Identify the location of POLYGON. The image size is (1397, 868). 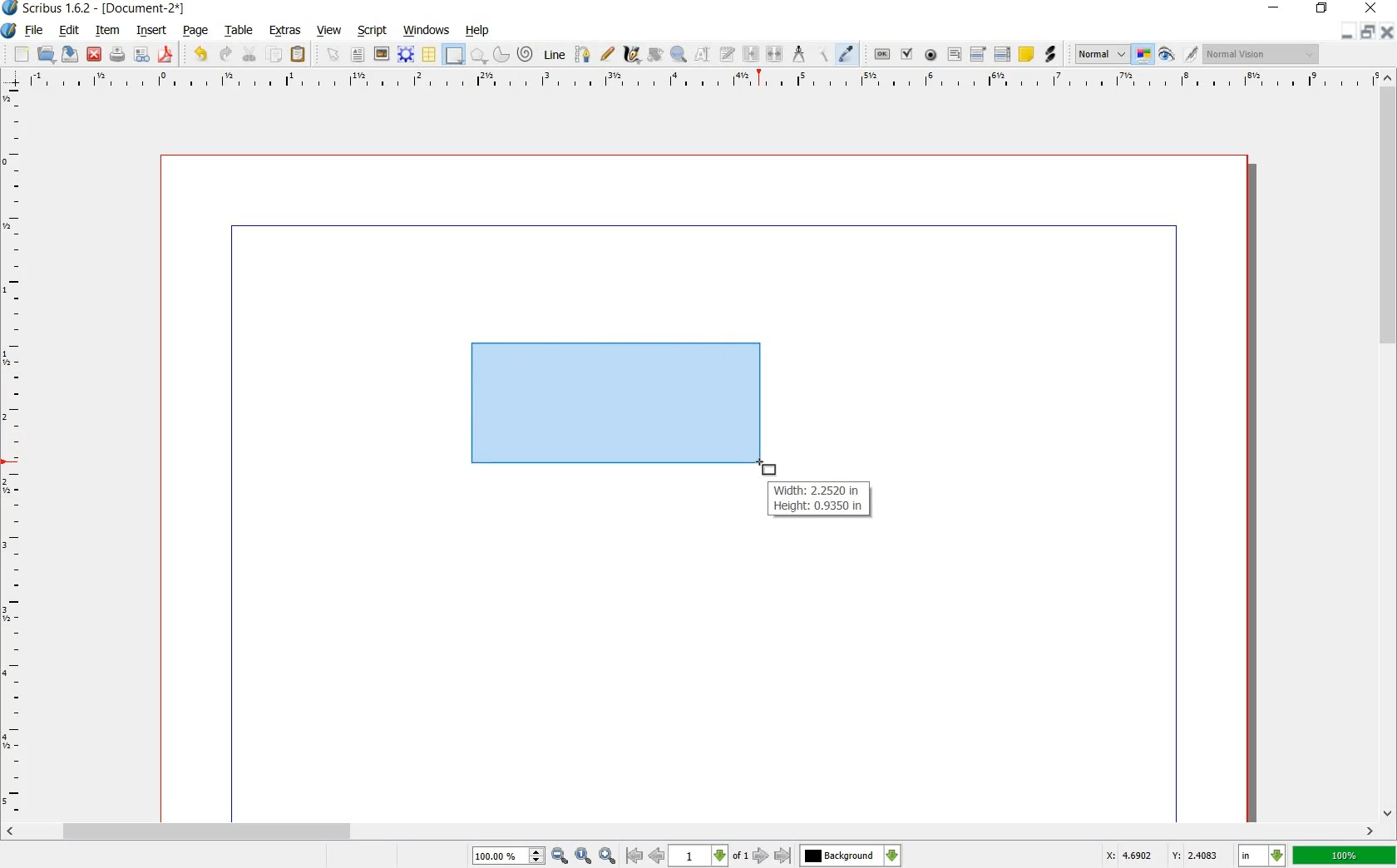
(479, 57).